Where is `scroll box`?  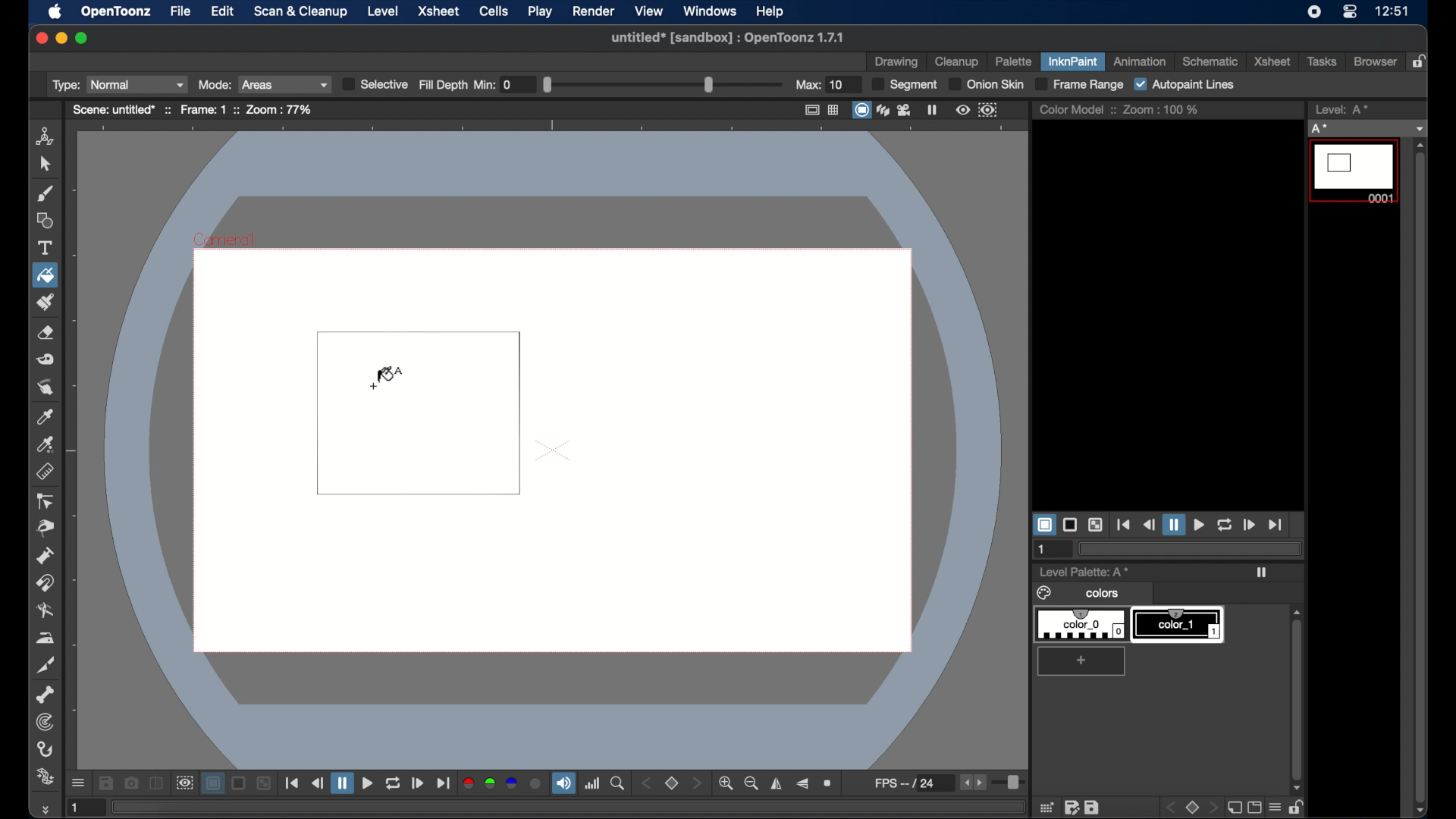 scroll box is located at coordinates (1296, 689).